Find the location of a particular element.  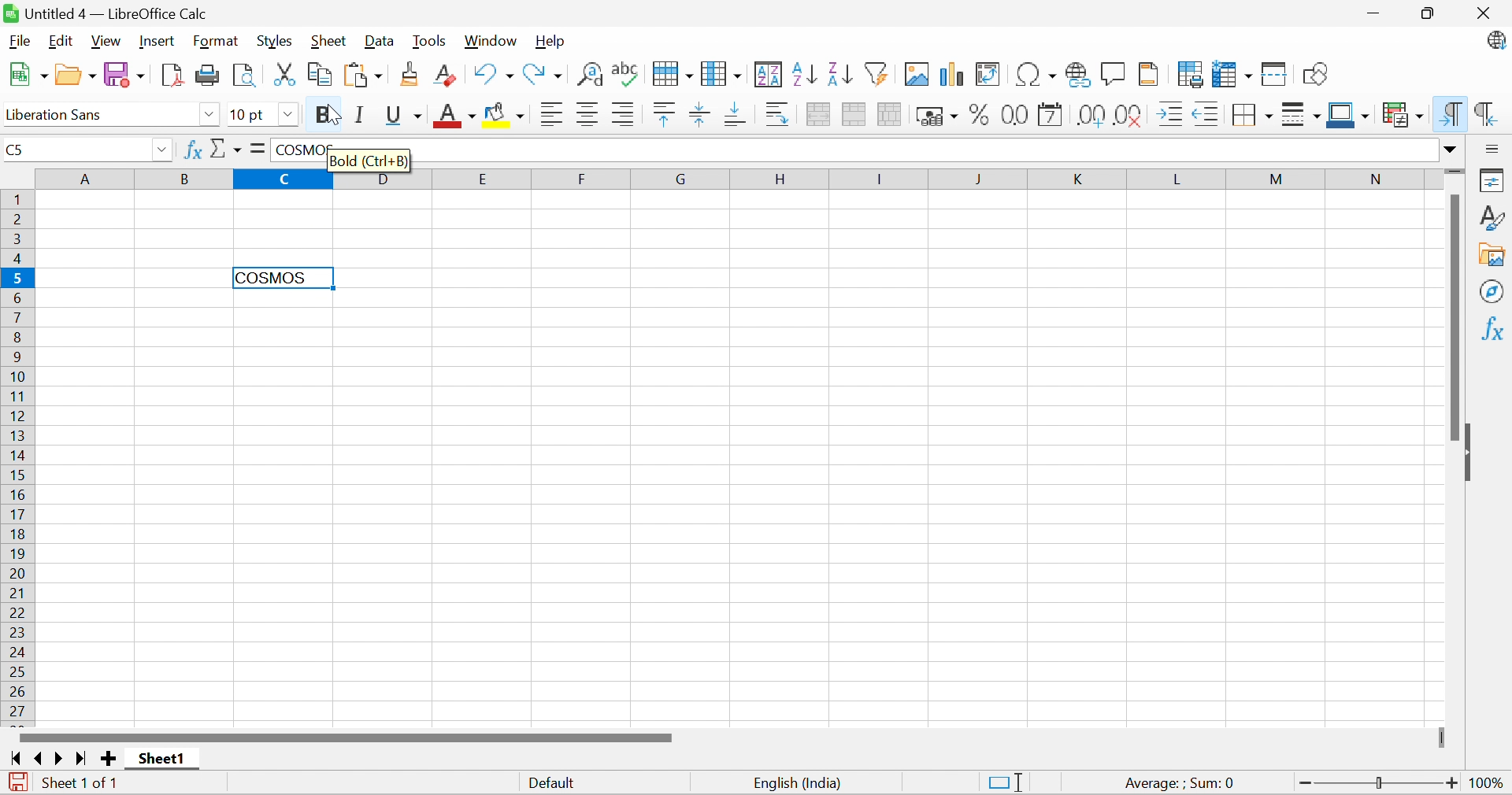

Redo is located at coordinates (546, 73).